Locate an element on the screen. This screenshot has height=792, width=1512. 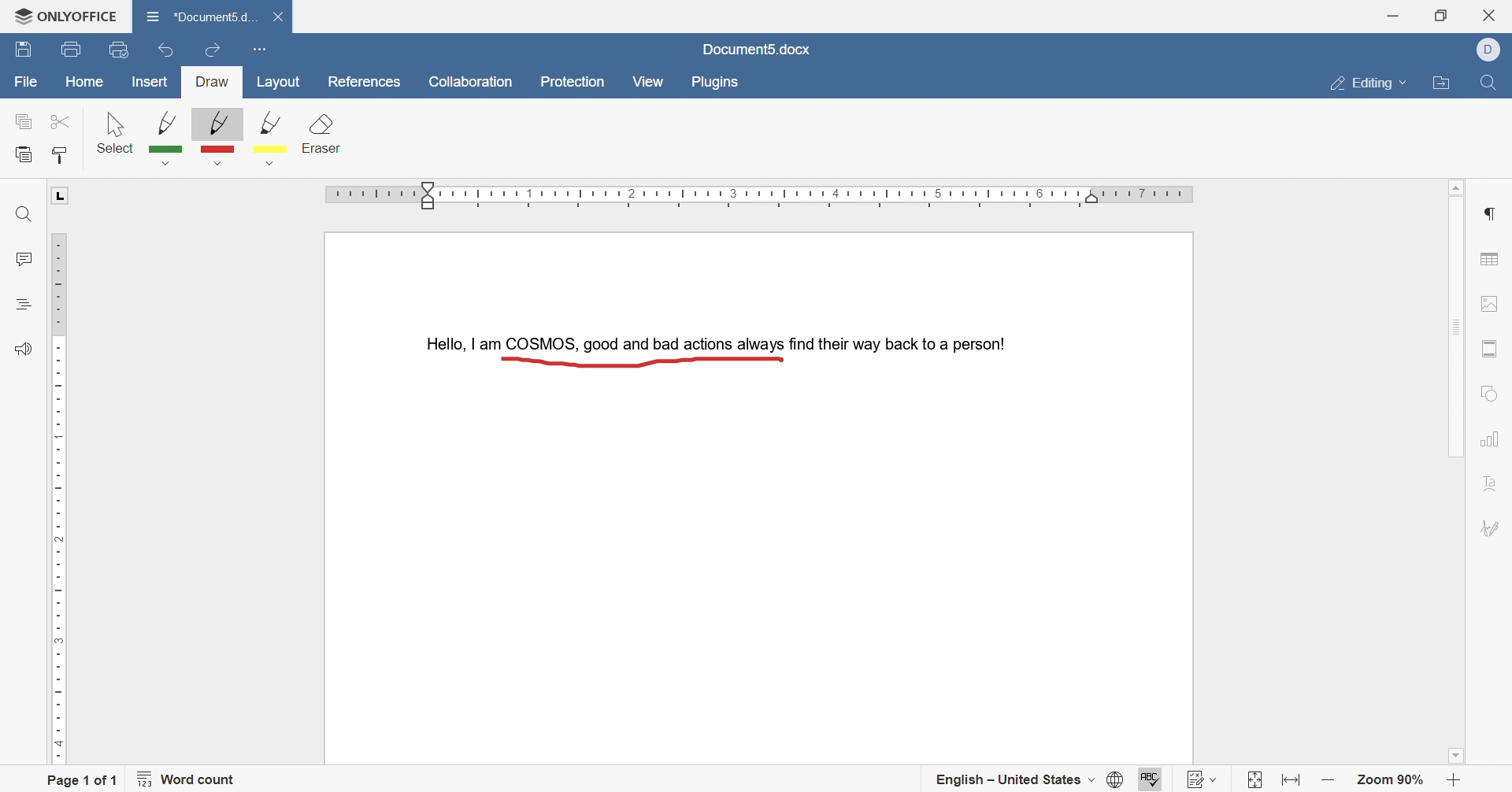
copy is located at coordinates (24, 123).